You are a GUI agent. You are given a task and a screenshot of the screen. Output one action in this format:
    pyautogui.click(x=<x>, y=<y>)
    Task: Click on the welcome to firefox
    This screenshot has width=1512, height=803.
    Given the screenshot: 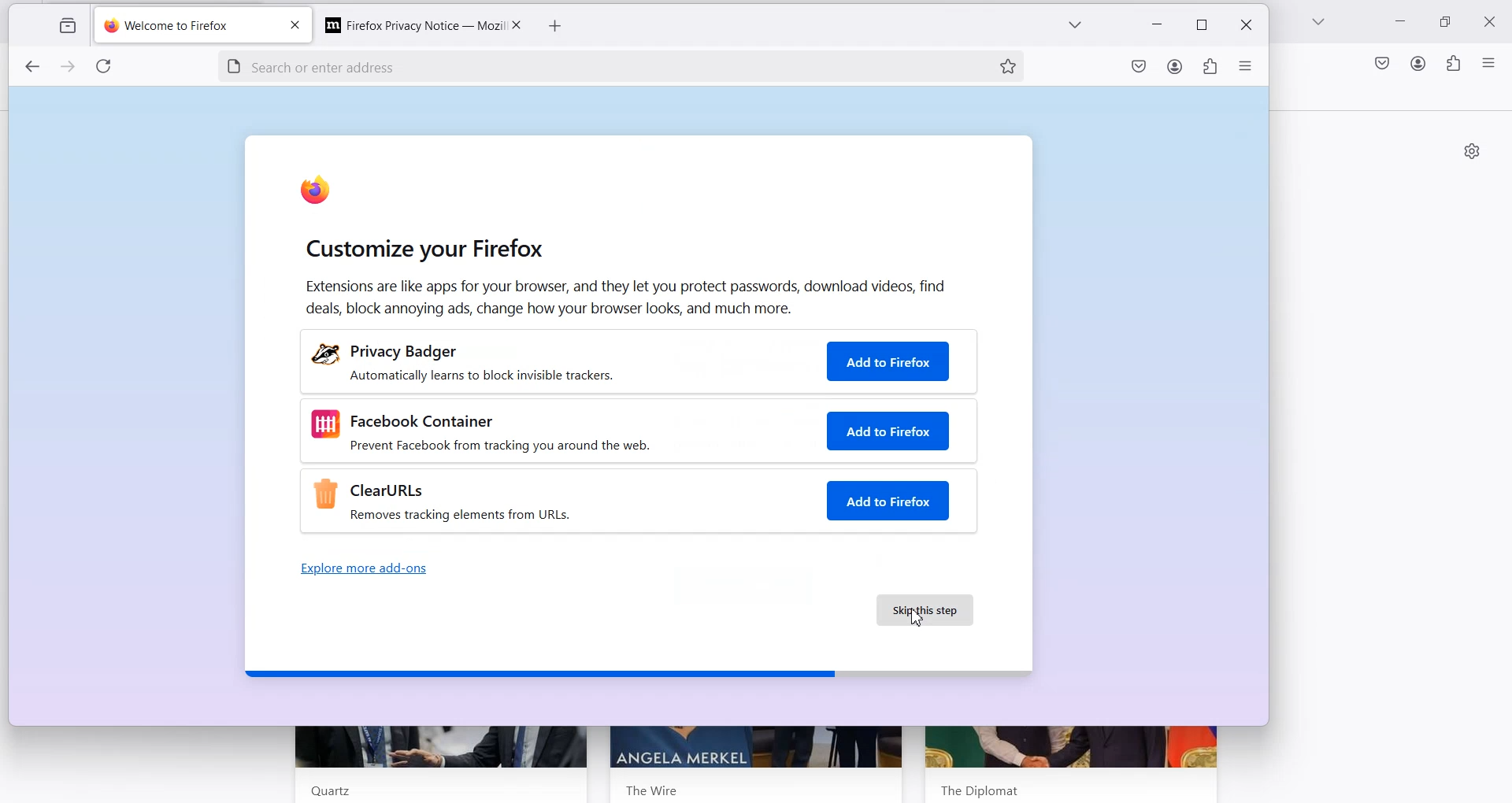 What is the action you would take?
    pyautogui.click(x=185, y=27)
    